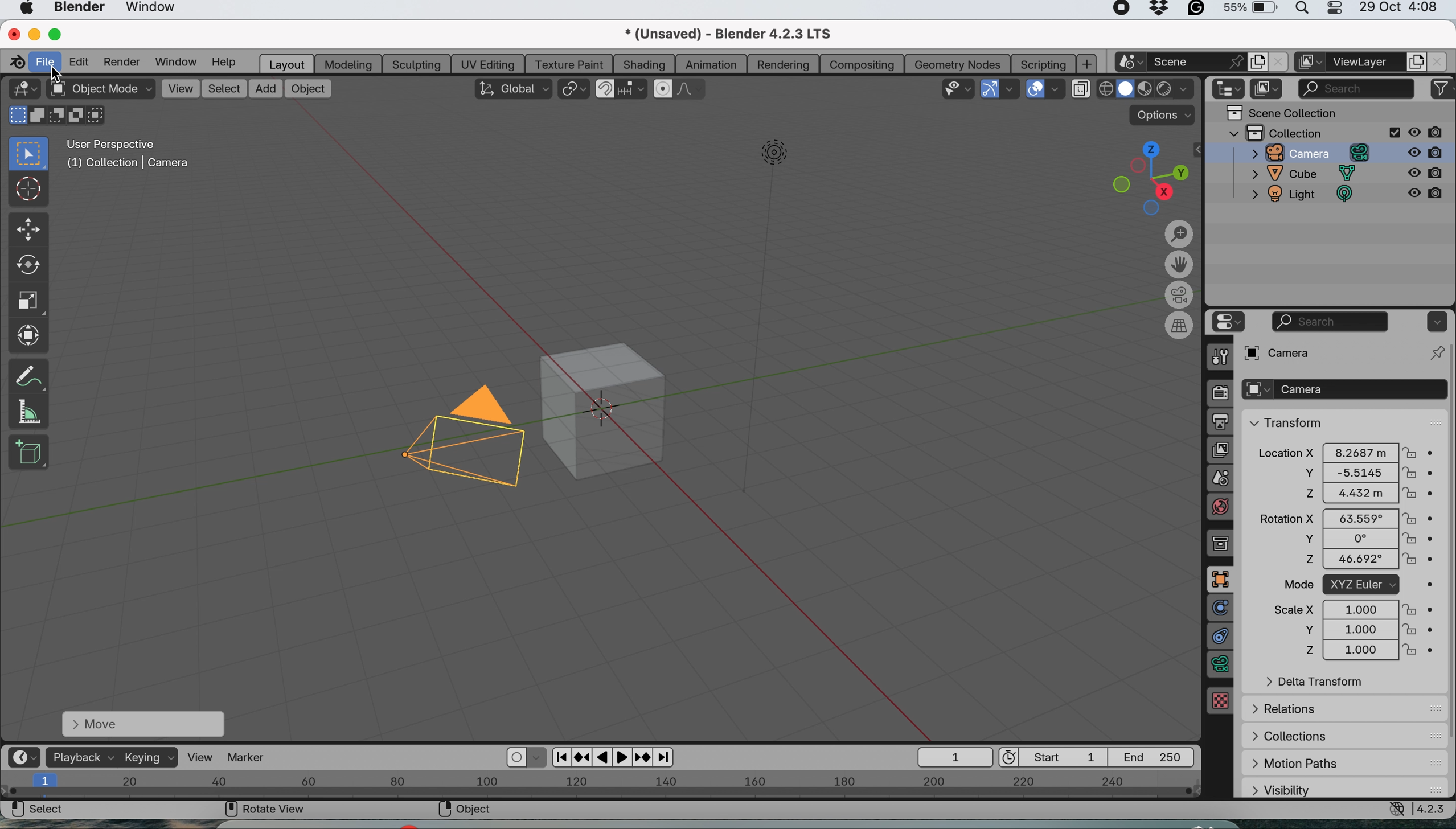  Describe the element at coordinates (1355, 651) in the screenshot. I see `z 1.000` at that location.